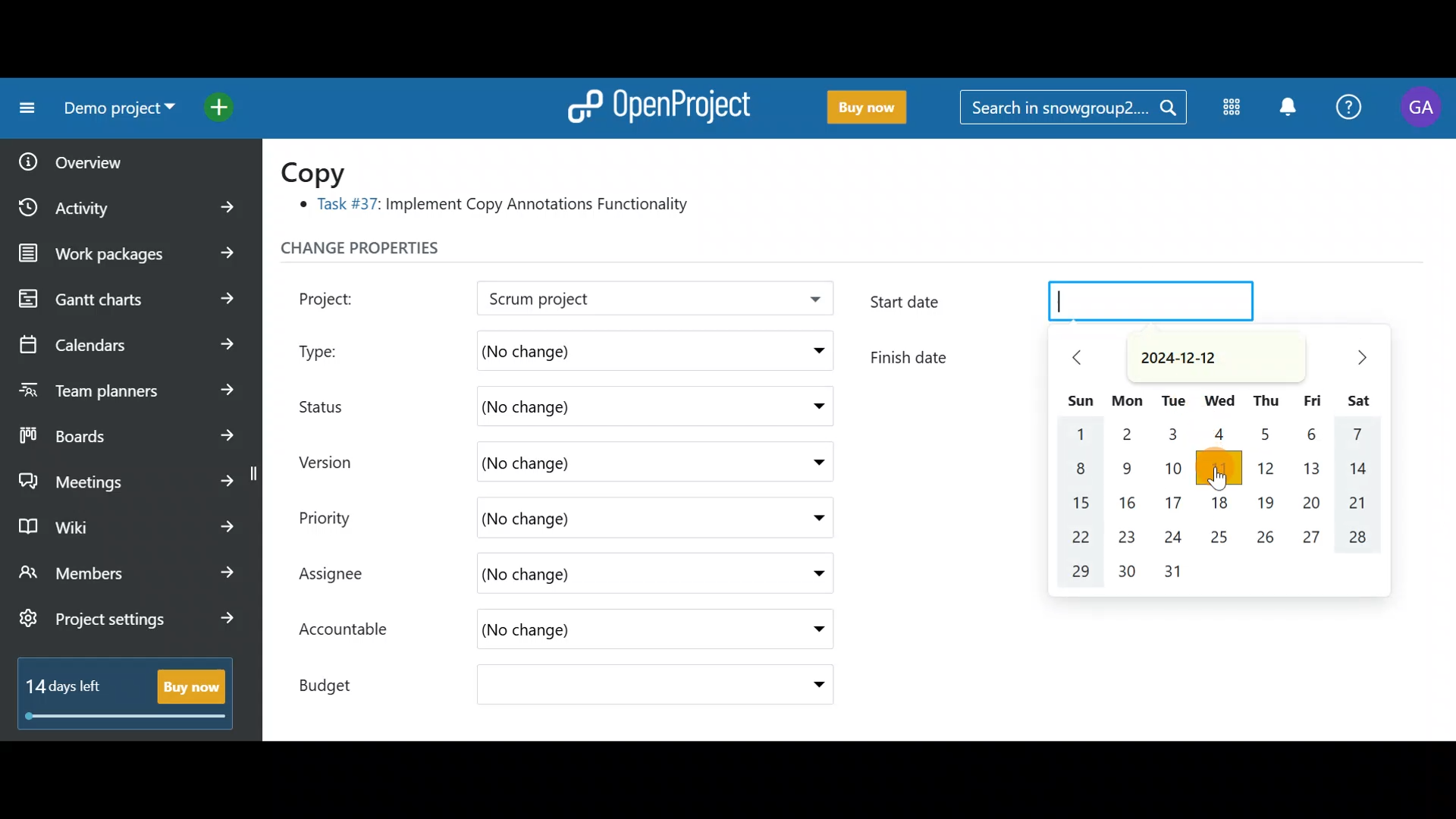 This screenshot has height=819, width=1456. I want to click on Priority drop down, so click(804, 516).